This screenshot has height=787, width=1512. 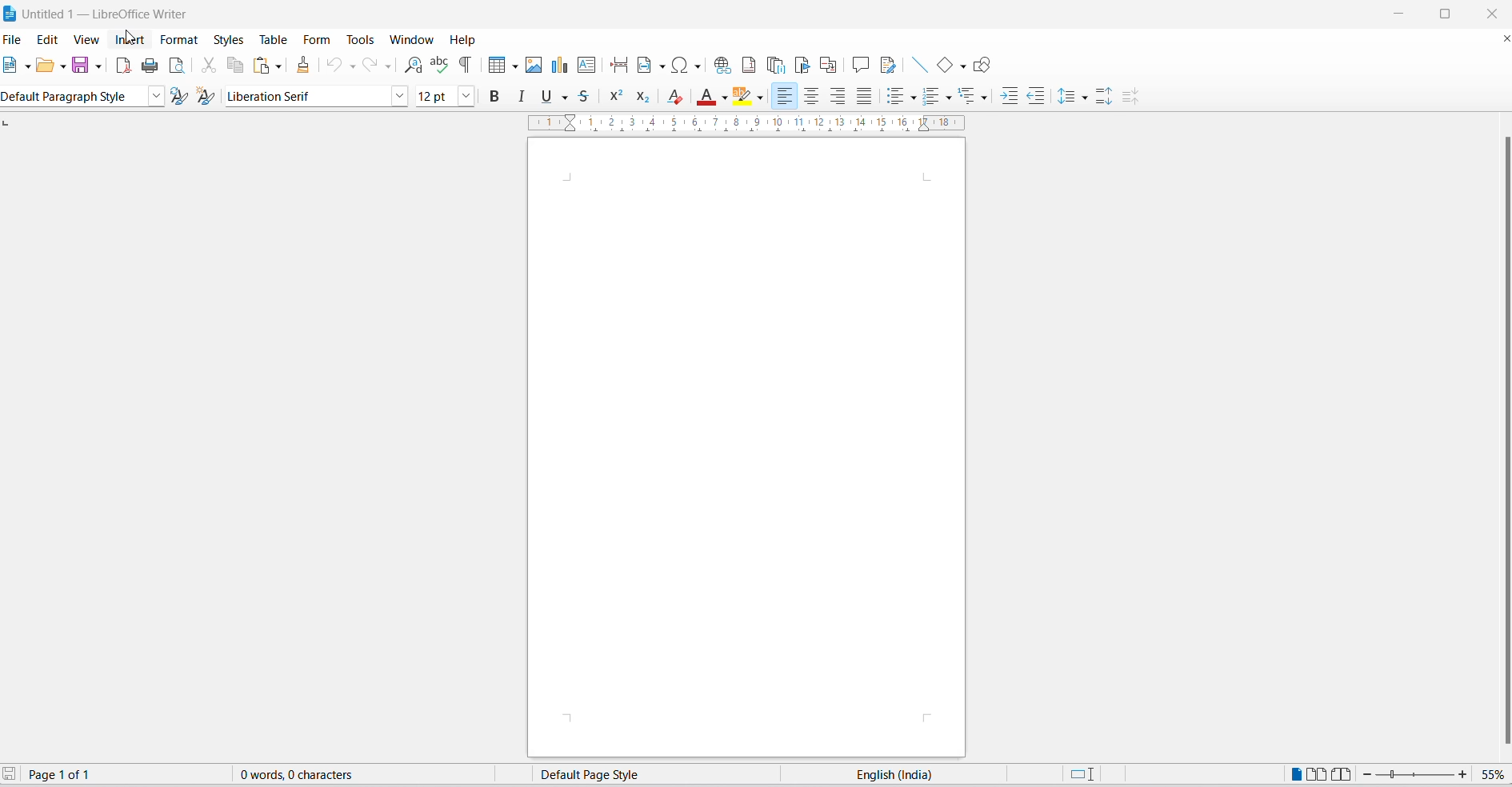 What do you see at coordinates (1010, 98) in the screenshot?
I see `increase indent` at bounding box center [1010, 98].